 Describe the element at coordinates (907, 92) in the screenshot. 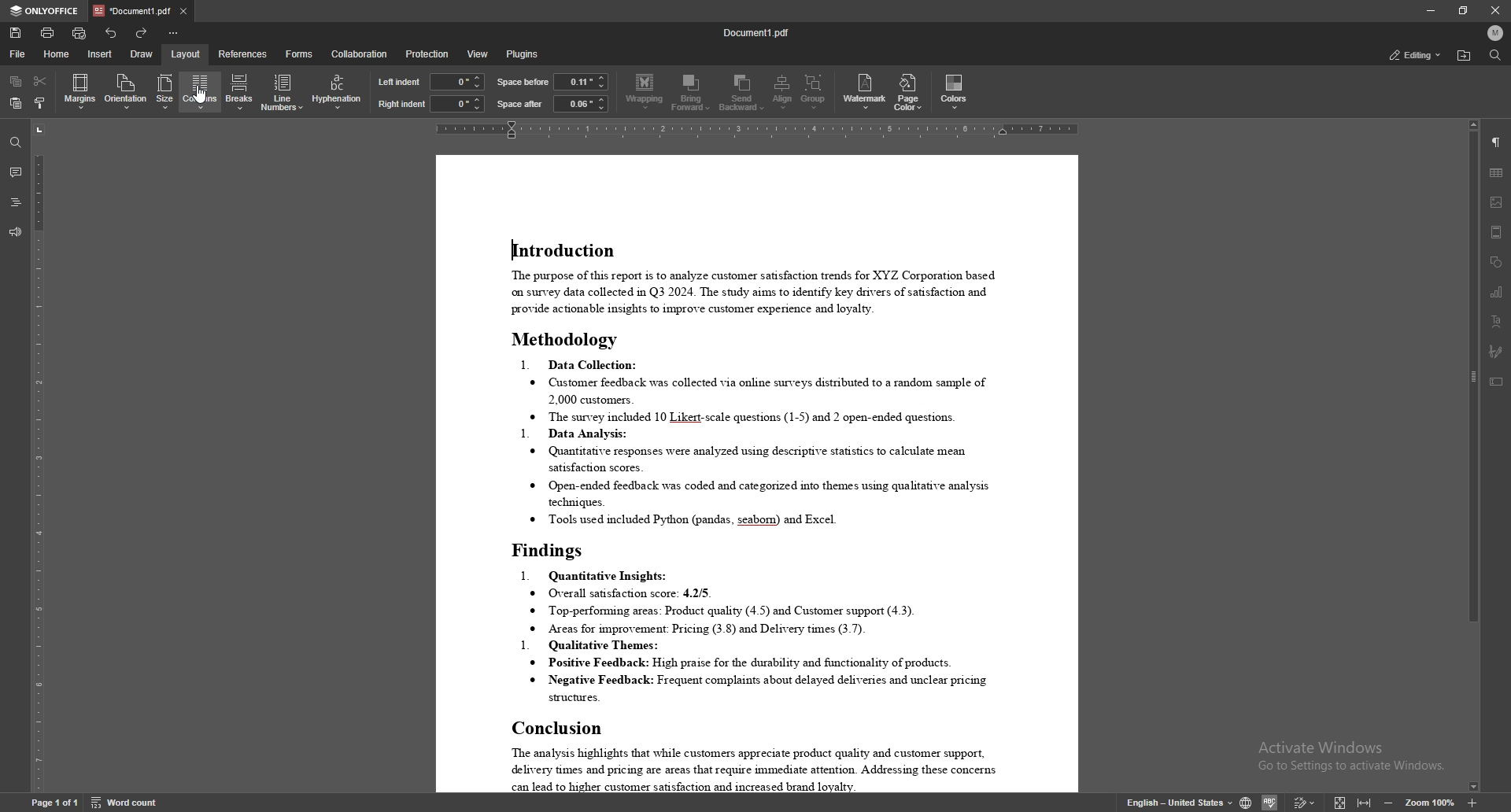

I see `page color` at that location.